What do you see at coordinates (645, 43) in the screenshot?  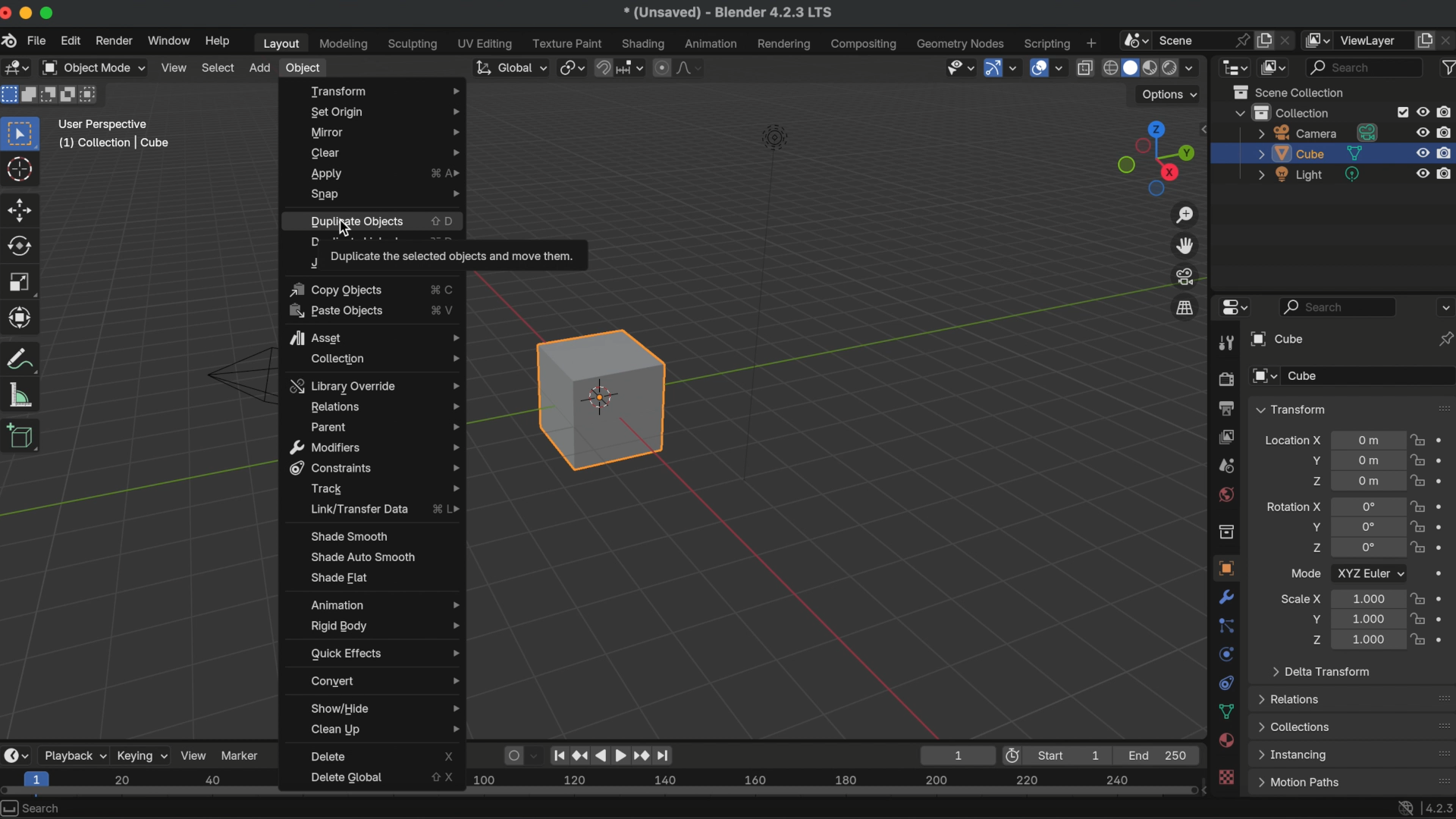 I see `shading` at bounding box center [645, 43].